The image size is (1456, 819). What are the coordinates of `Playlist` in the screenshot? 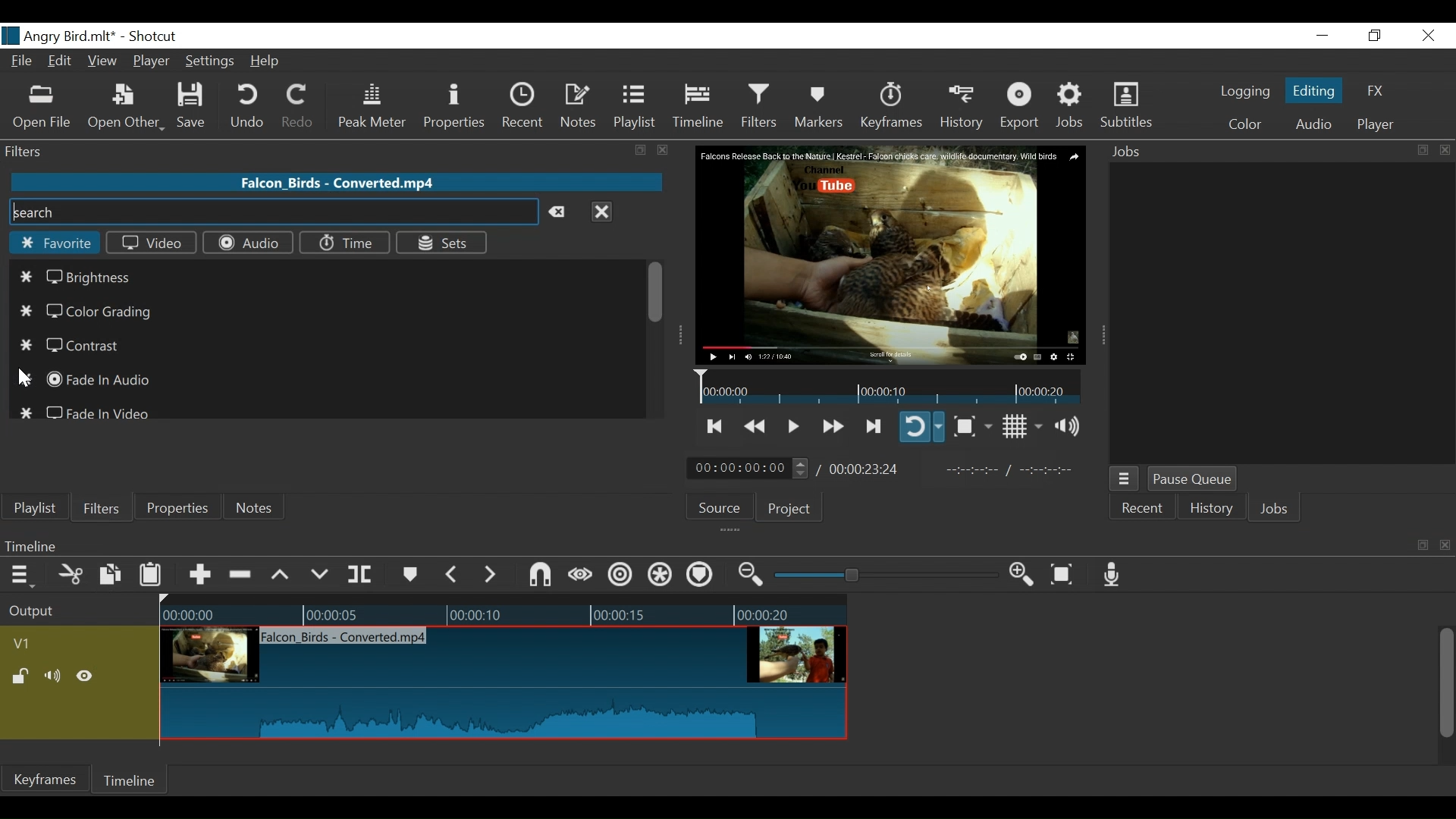 It's located at (36, 508).